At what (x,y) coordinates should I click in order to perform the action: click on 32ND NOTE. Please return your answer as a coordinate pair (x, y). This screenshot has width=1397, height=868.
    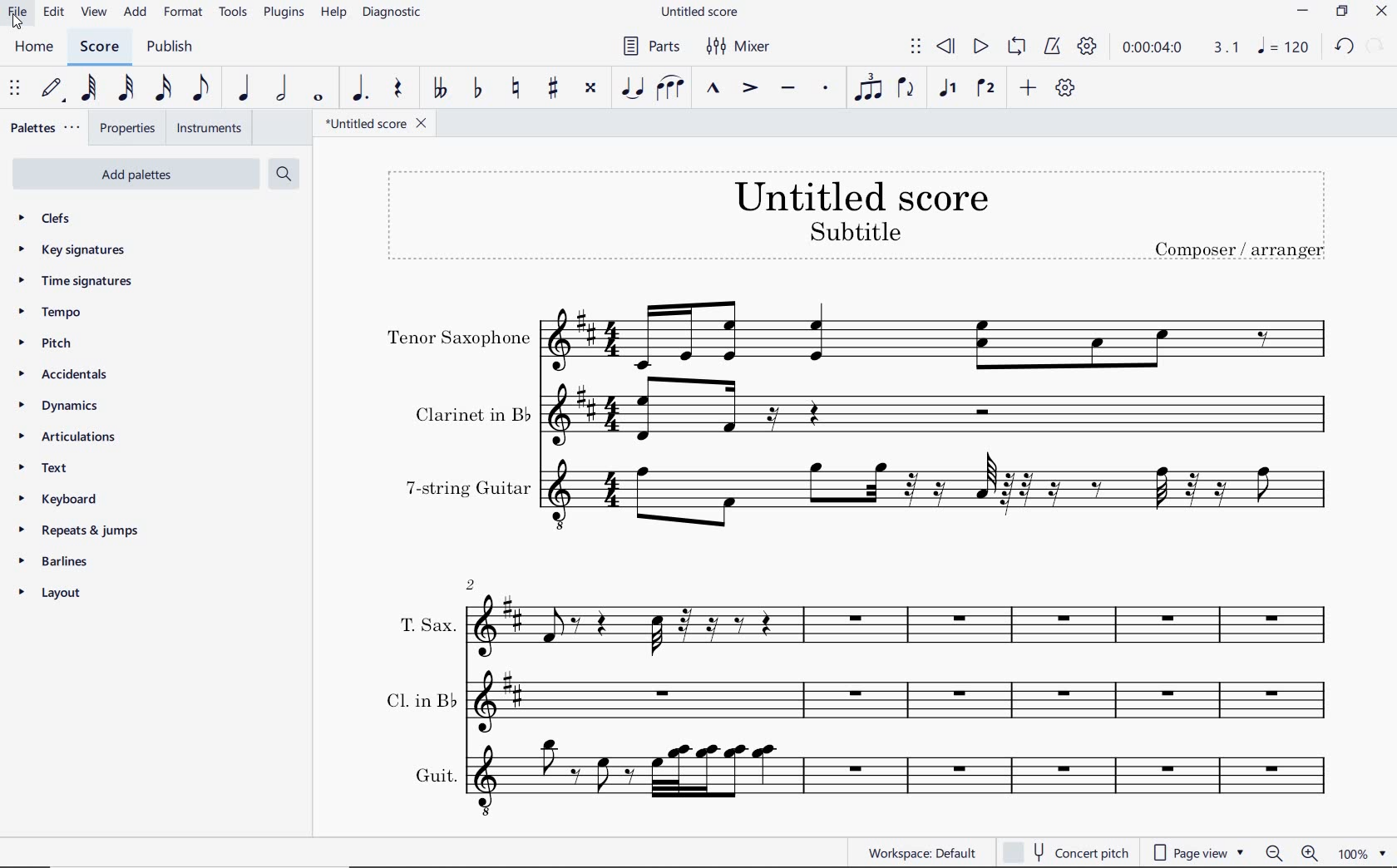
    Looking at the image, I should click on (126, 89).